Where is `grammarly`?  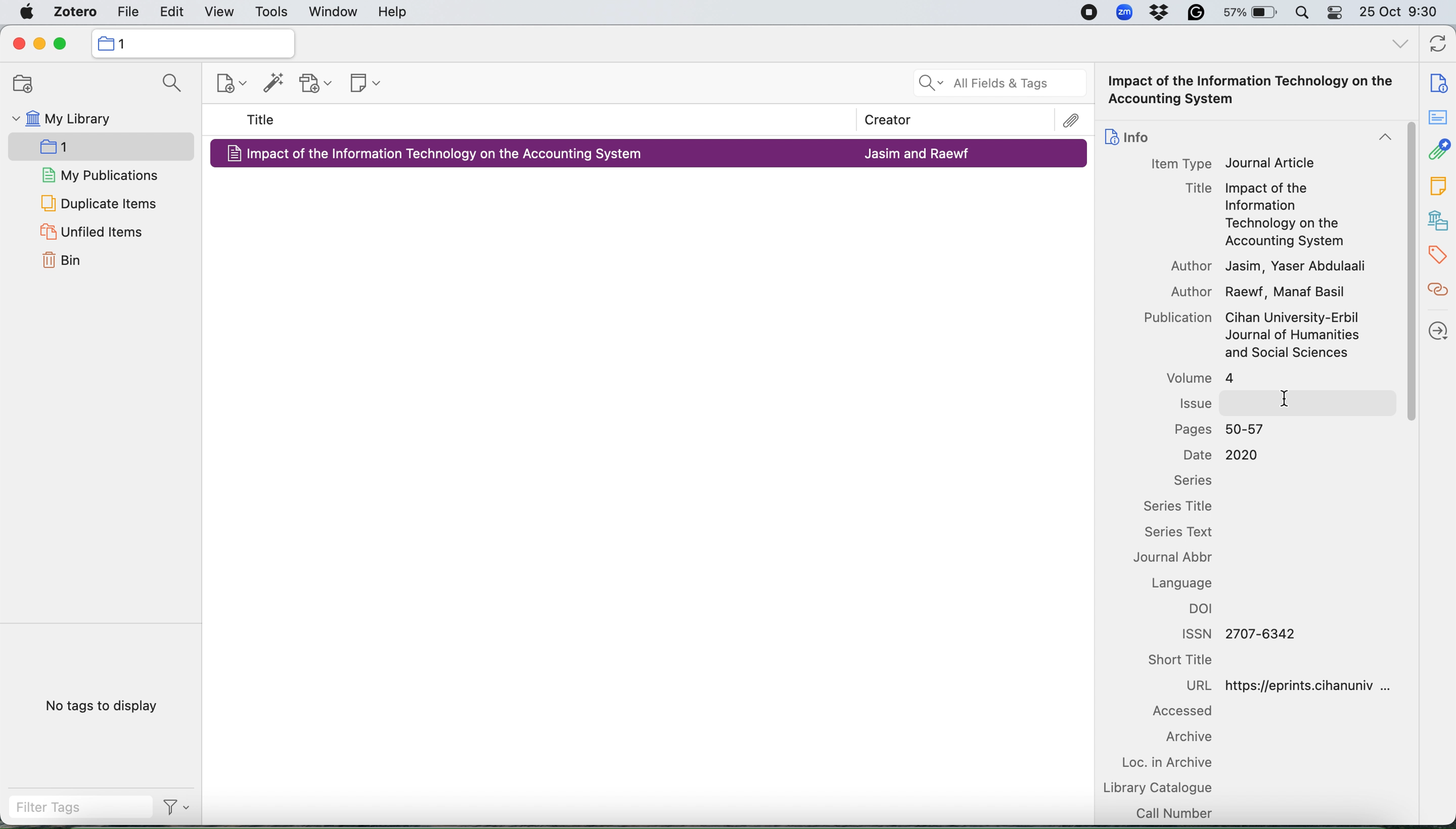 grammarly is located at coordinates (1199, 14).